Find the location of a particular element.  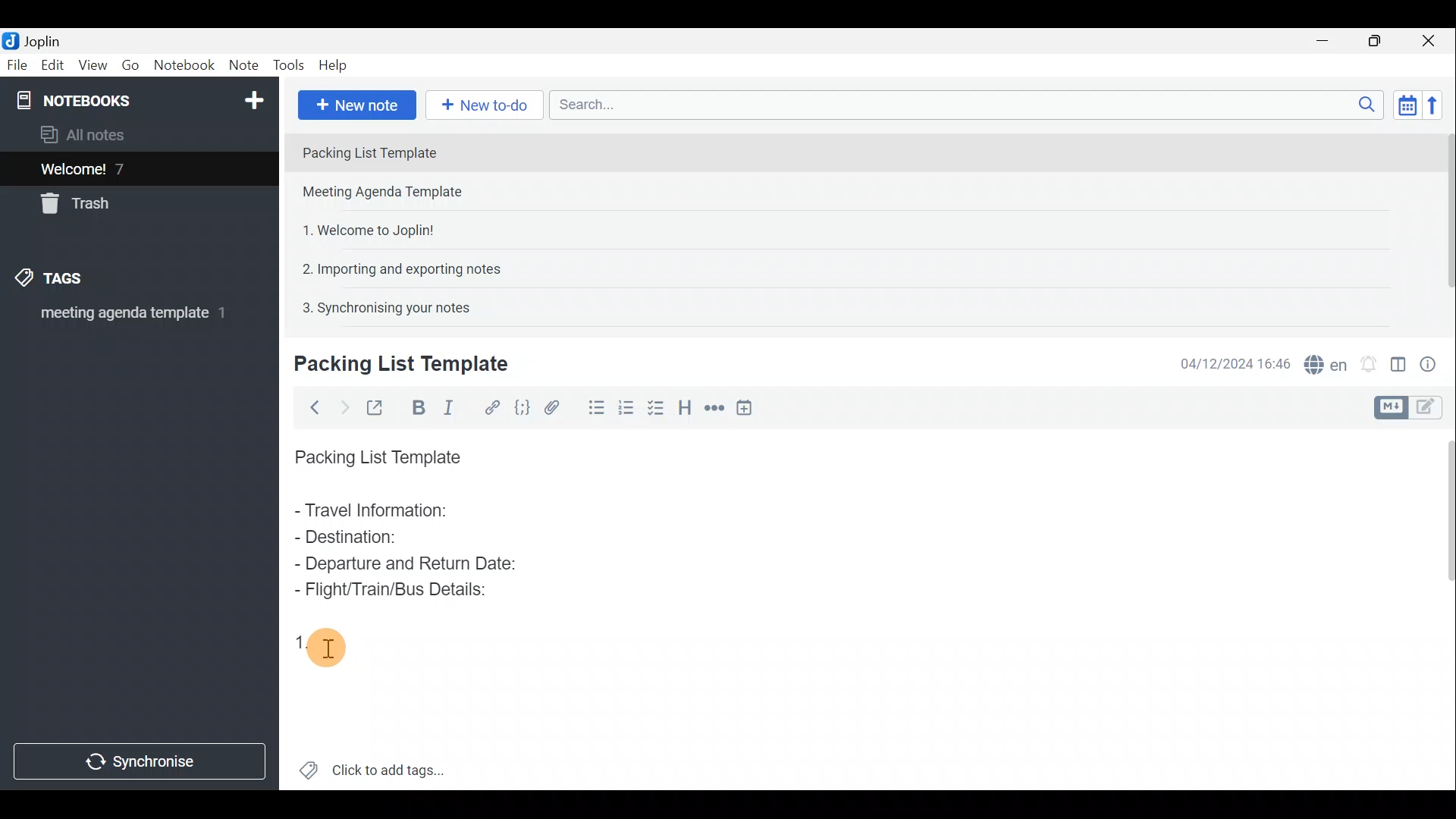

cursor is located at coordinates (327, 649).